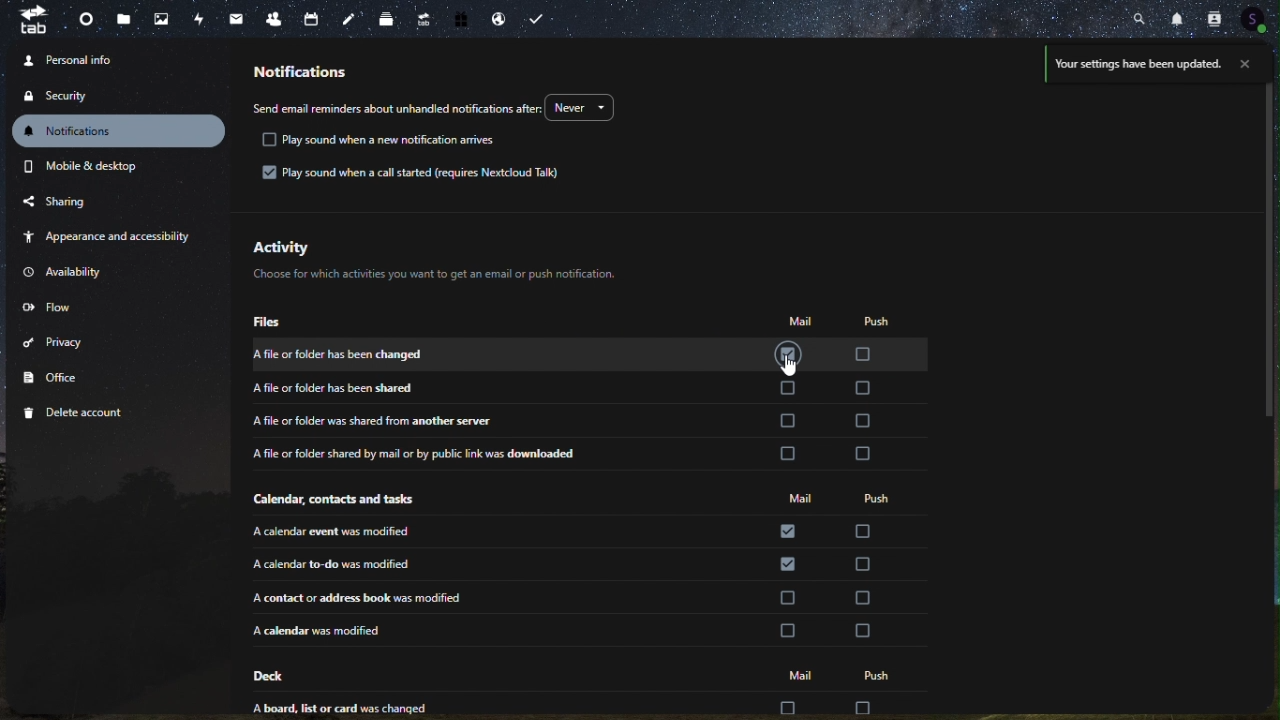 The height and width of the screenshot is (720, 1280). Describe the element at coordinates (863, 531) in the screenshot. I see `check box` at that location.